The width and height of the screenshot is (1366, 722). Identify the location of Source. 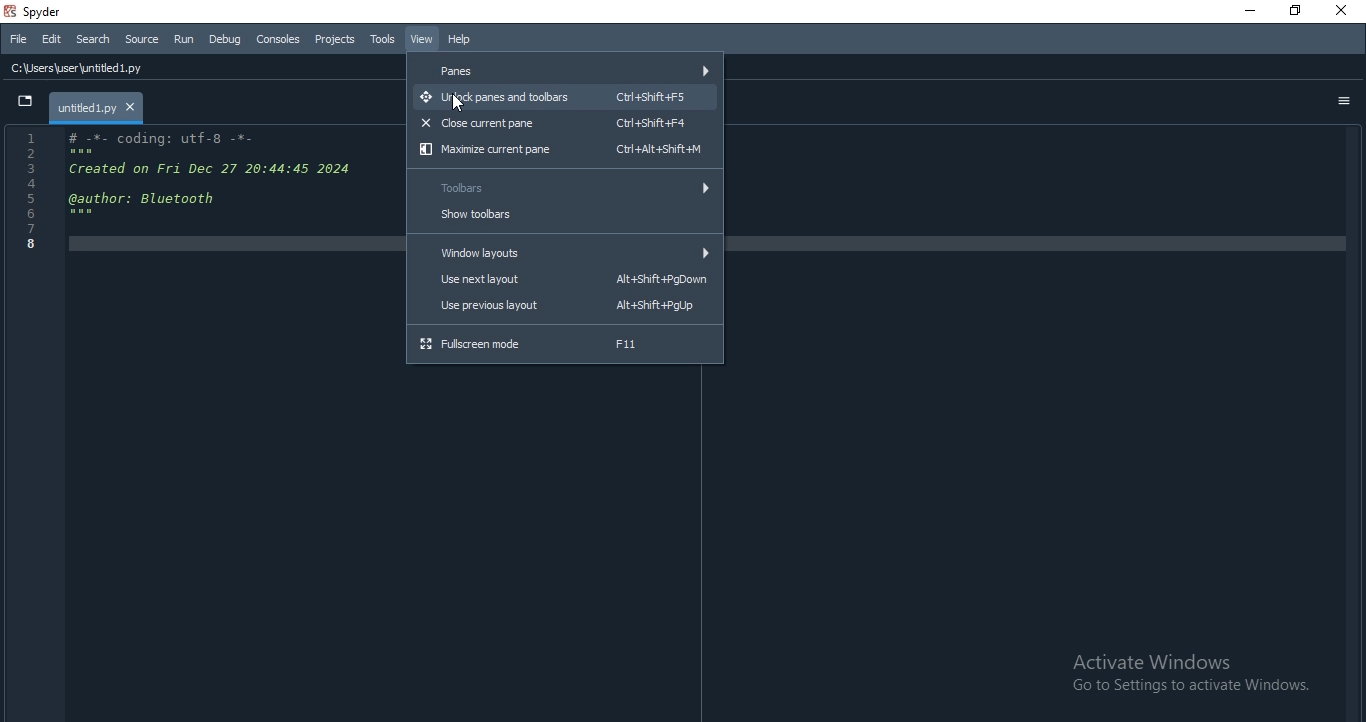
(143, 39).